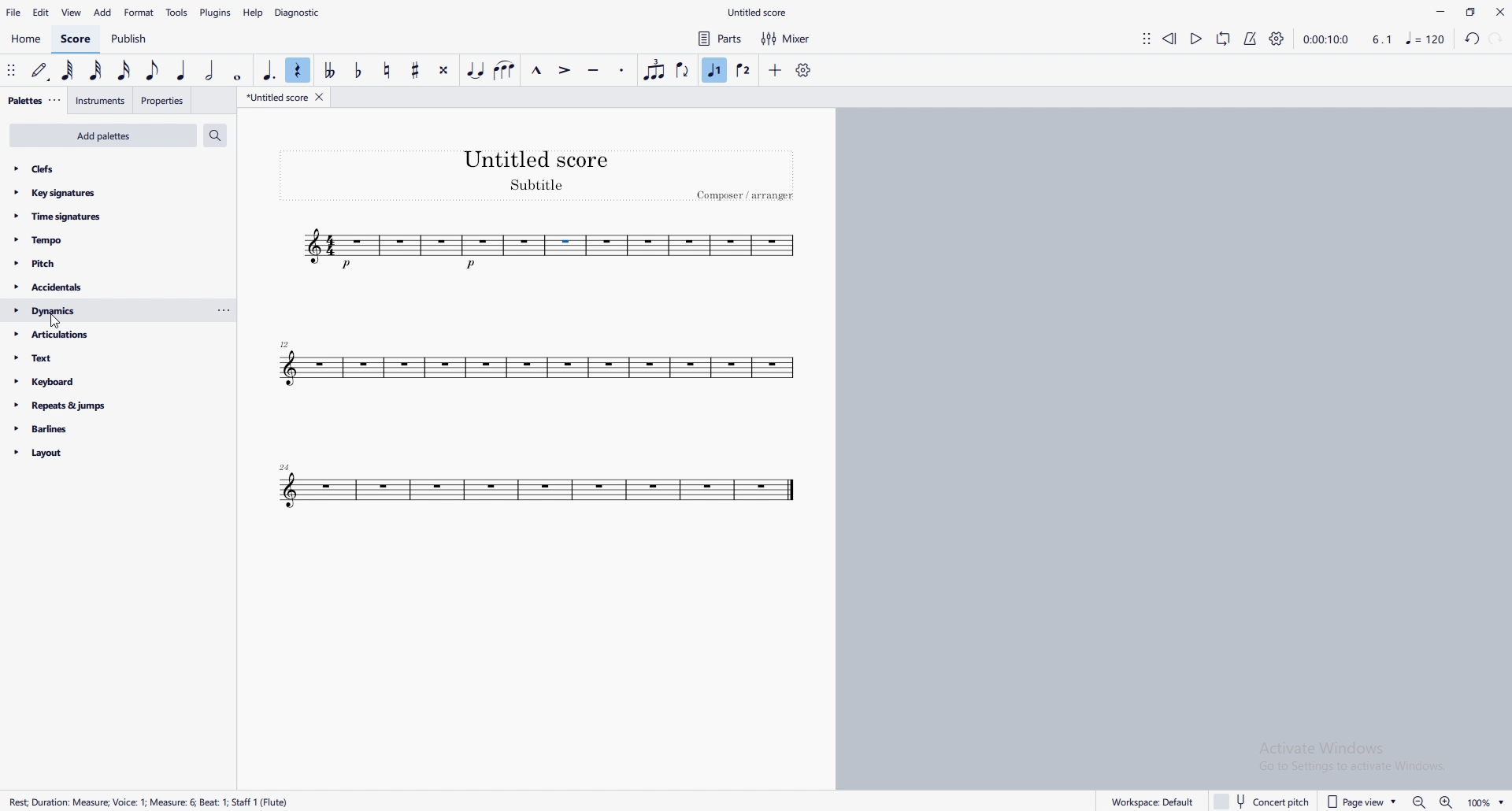  Describe the element at coordinates (1380, 38) in the screenshot. I see `4.1` at that location.